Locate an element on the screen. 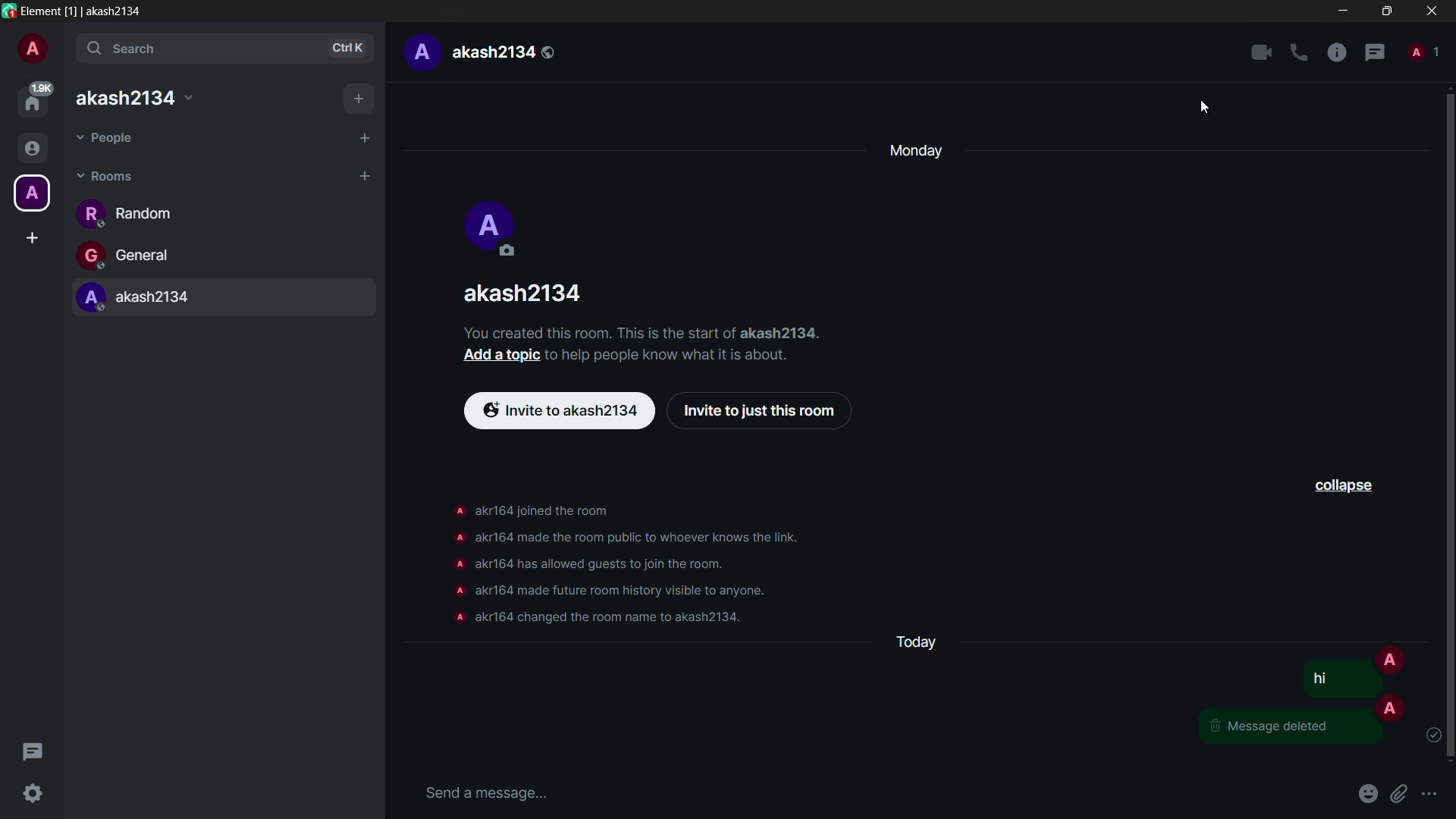 Image resolution: width=1456 pixels, height=819 pixels. akr164 has allowed guests to join the room. is located at coordinates (605, 564).